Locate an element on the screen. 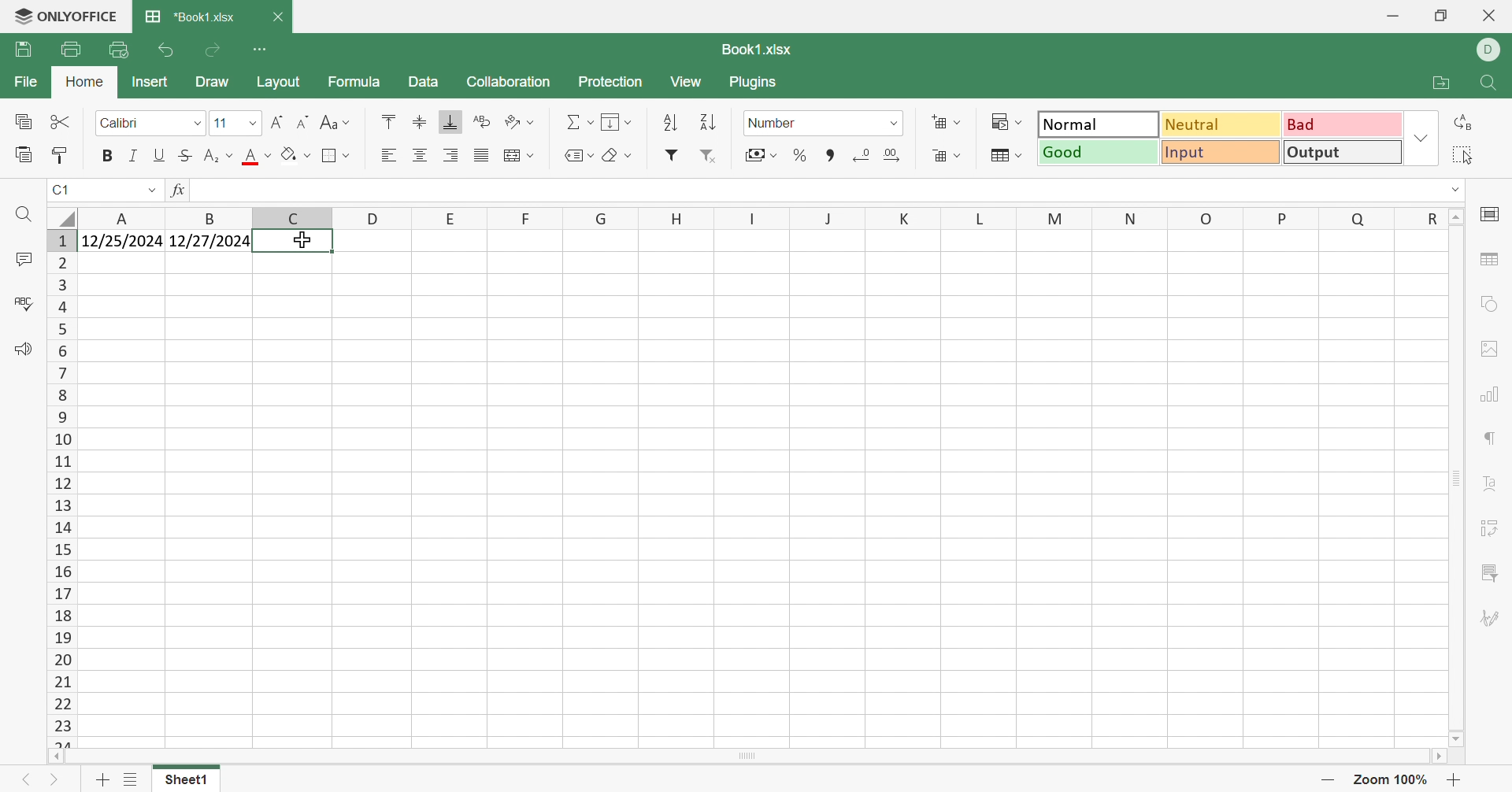  Summation is located at coordinates (578, 120).